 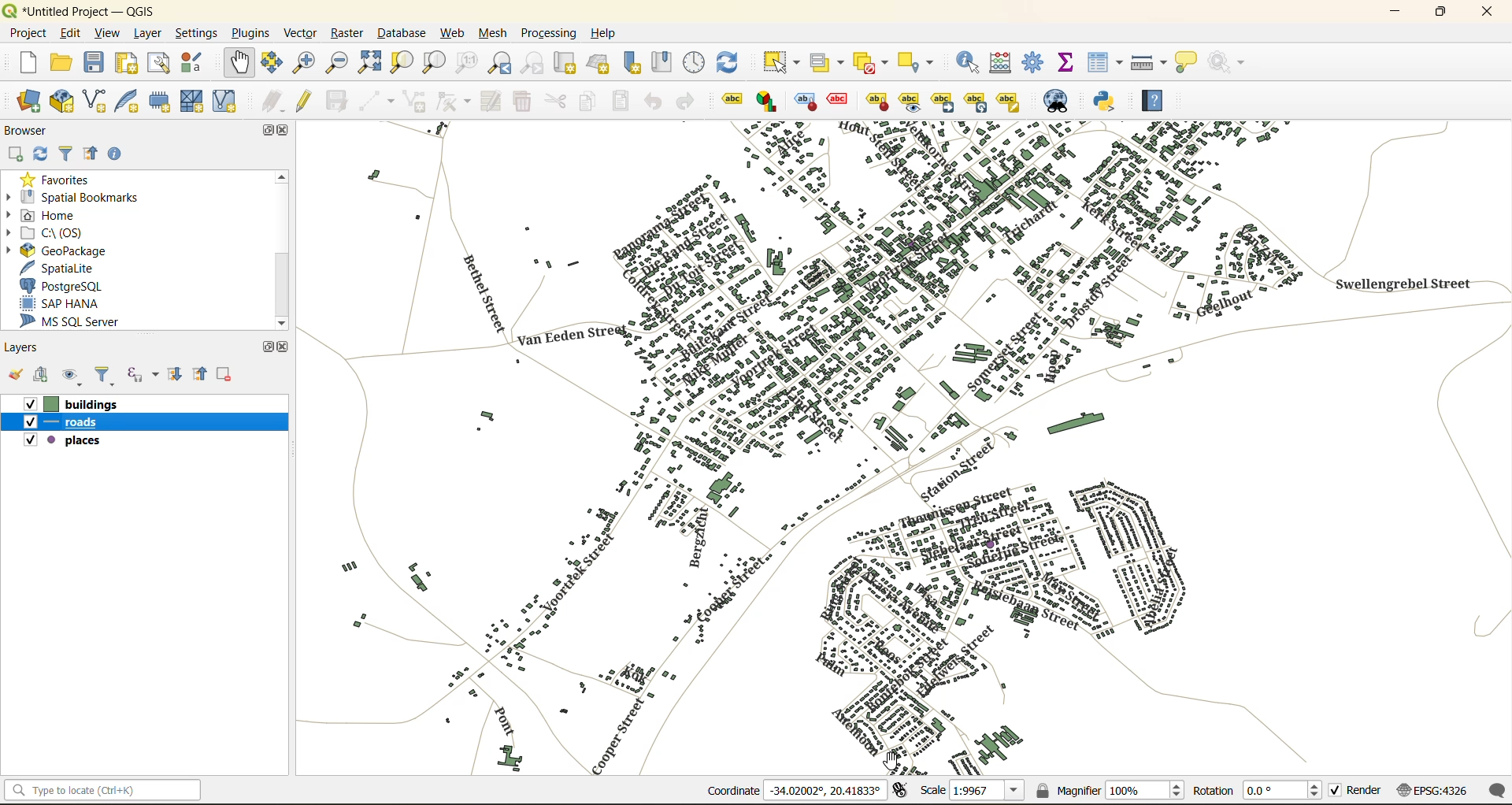 I want to click on places layer, so click(x=63, y=441).